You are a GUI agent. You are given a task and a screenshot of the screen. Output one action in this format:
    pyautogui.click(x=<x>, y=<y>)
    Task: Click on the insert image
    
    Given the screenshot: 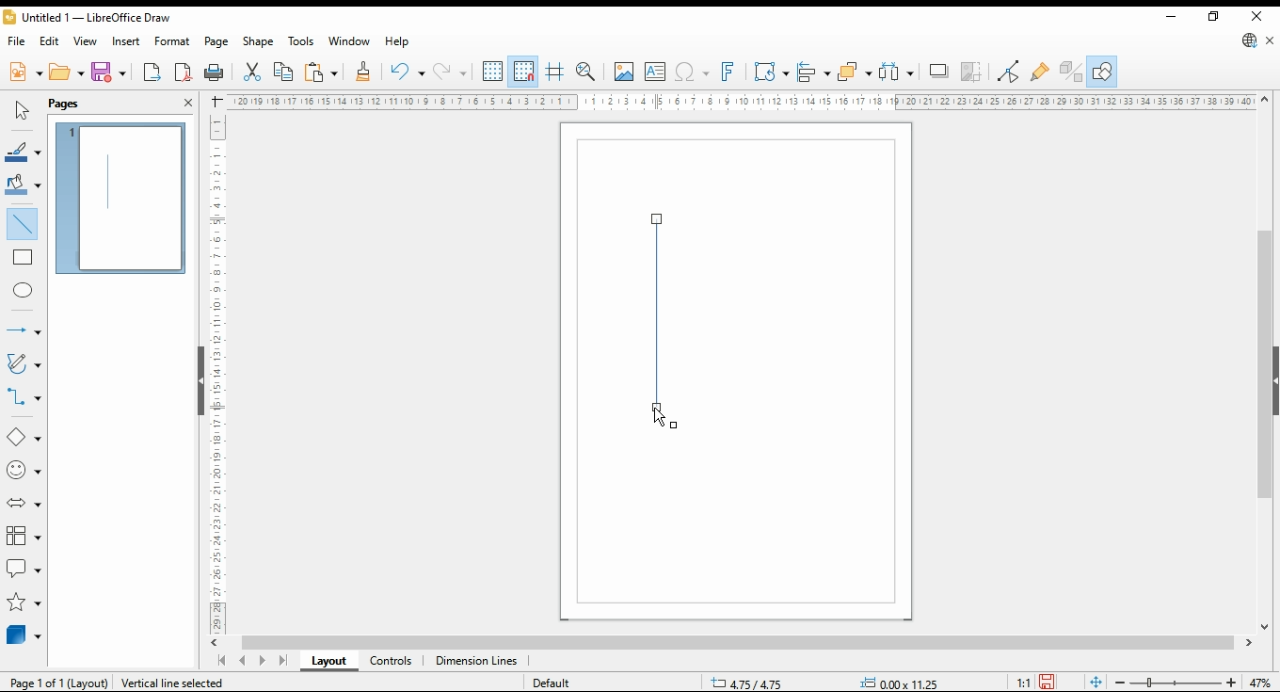 What is the action you would take?
    pyautogui.click(x=623, y=71)
    